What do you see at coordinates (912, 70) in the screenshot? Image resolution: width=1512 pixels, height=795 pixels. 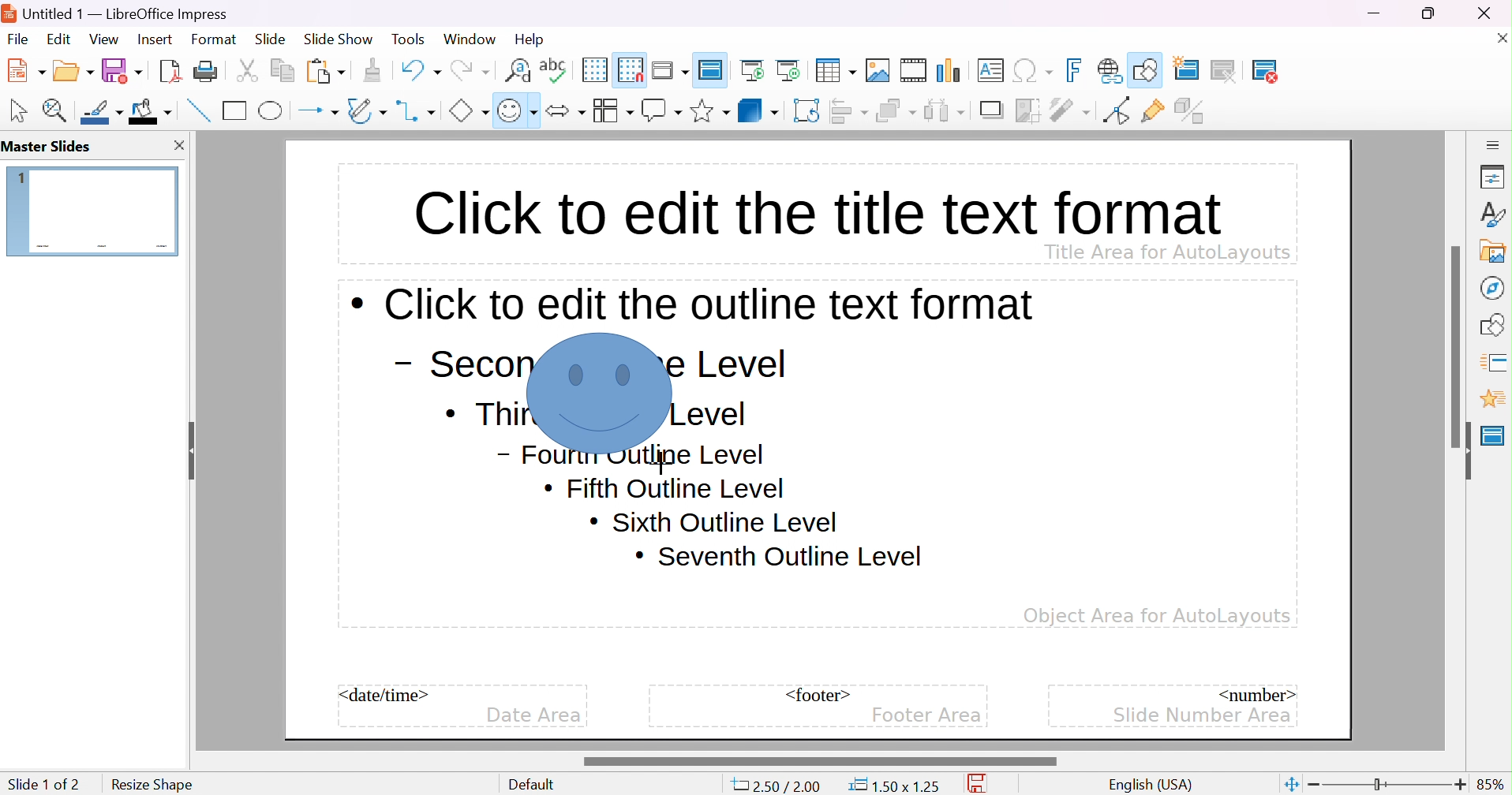 I see `insert audio or video` at bounding box center [912, 70].